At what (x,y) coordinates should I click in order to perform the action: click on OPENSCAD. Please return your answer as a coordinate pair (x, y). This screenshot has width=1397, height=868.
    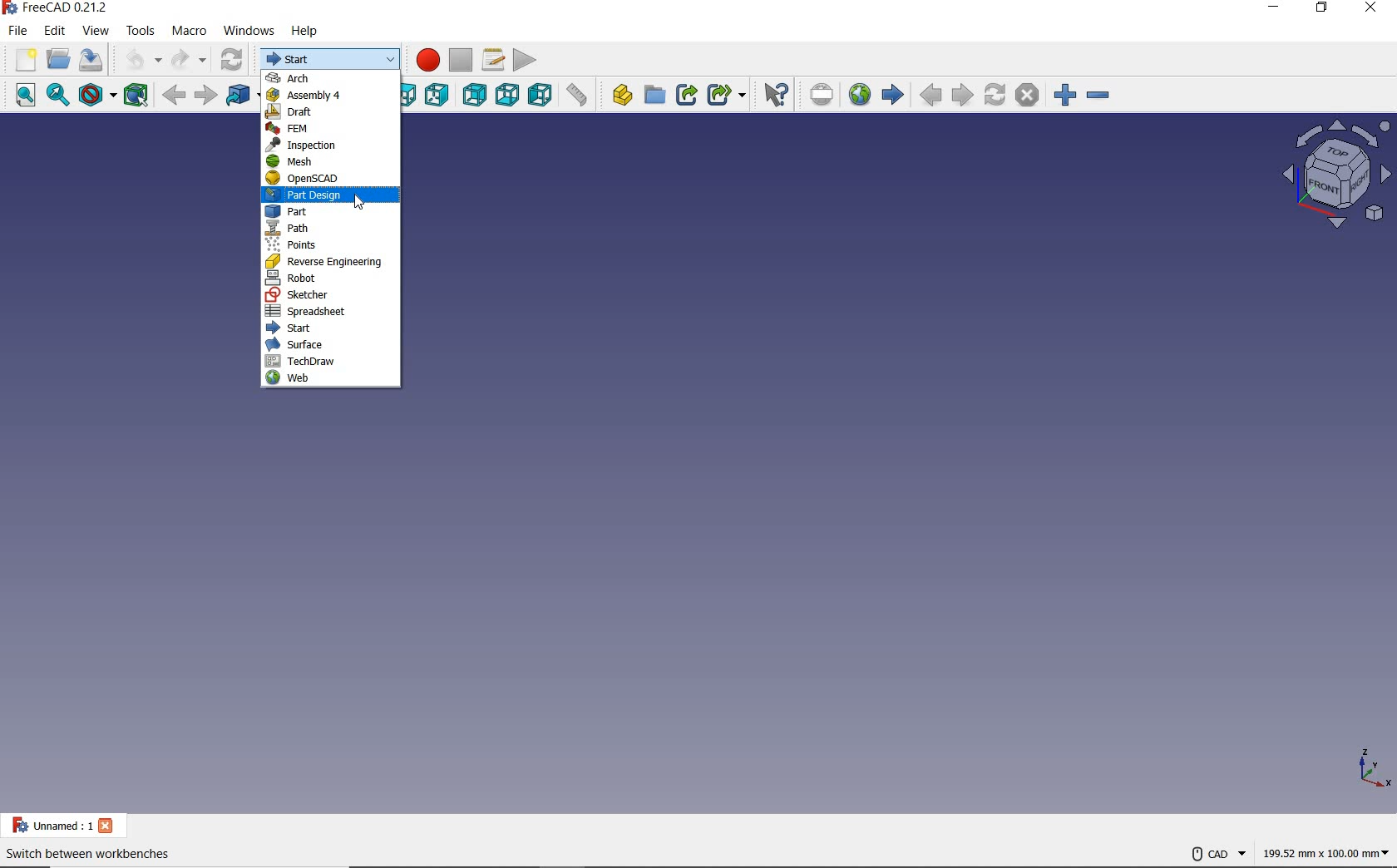
    Looking at the image, I should click on (317, 180).